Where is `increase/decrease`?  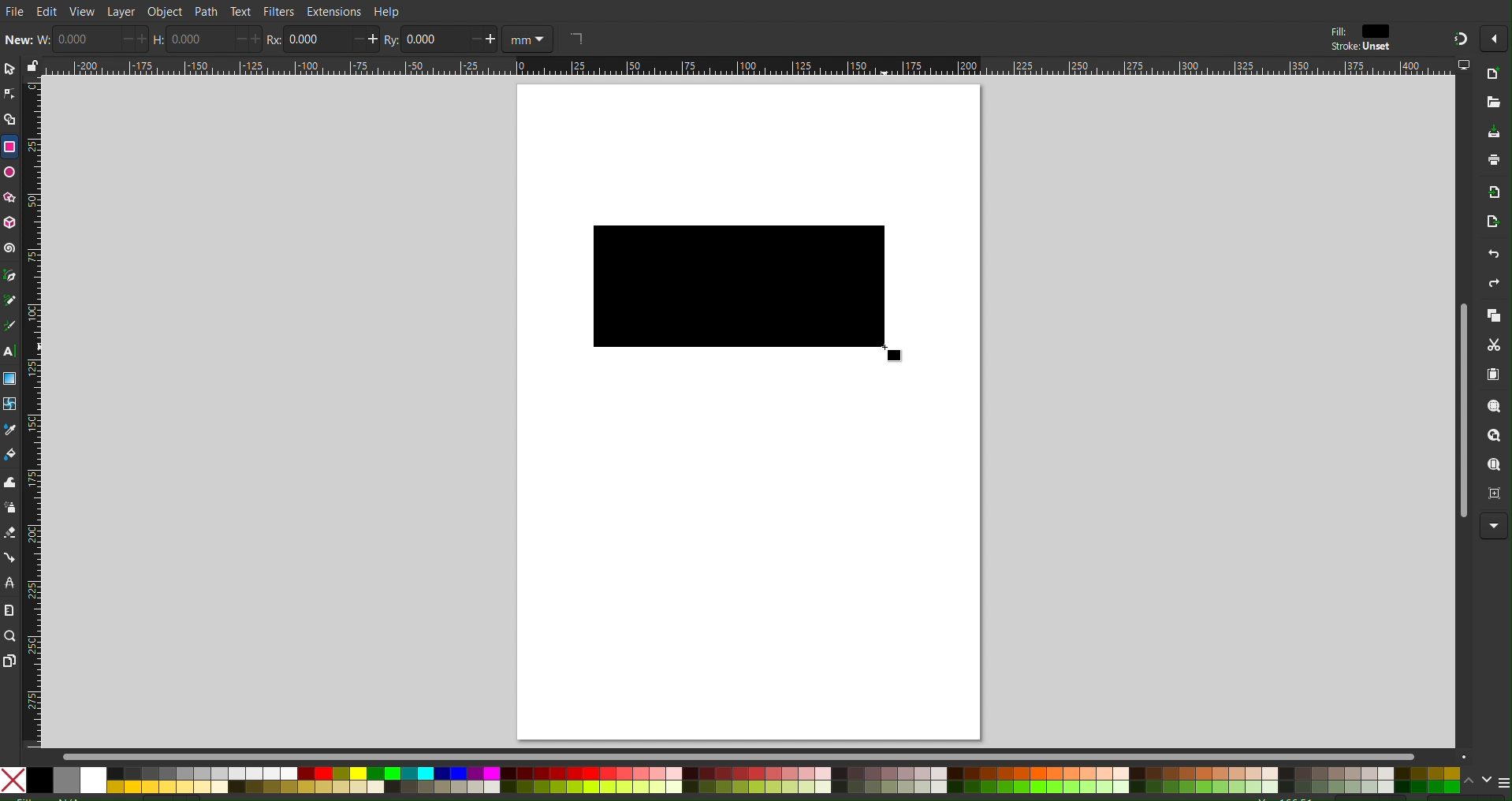 increase/decrease is located at coordinates (367, 39).